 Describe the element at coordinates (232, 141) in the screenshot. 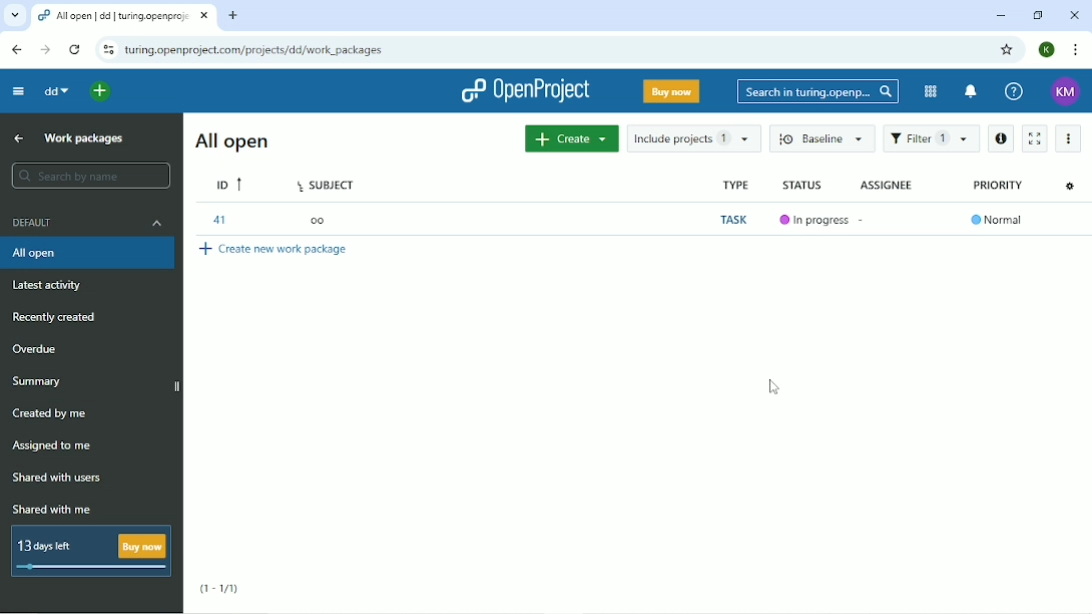

I see `All open` at that location.